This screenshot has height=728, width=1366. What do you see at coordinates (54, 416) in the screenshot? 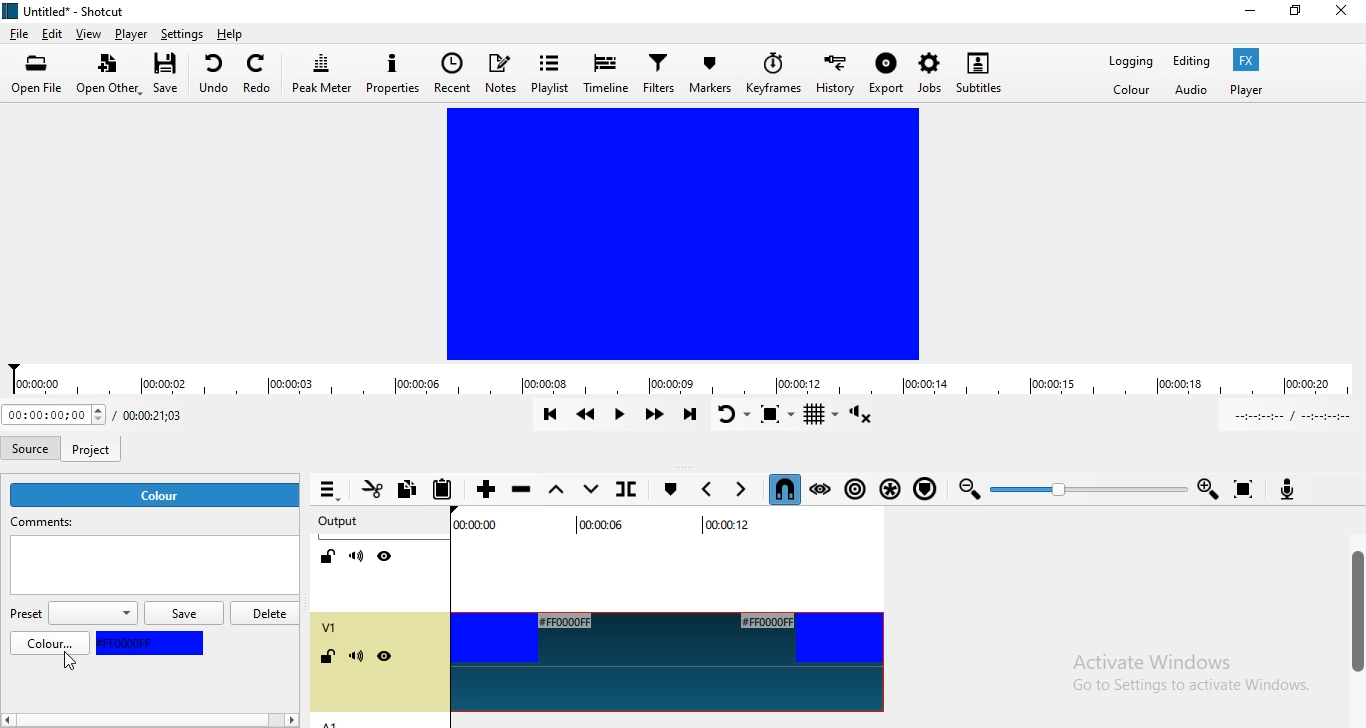
I see `Current position` at bounding box center [54, 416].